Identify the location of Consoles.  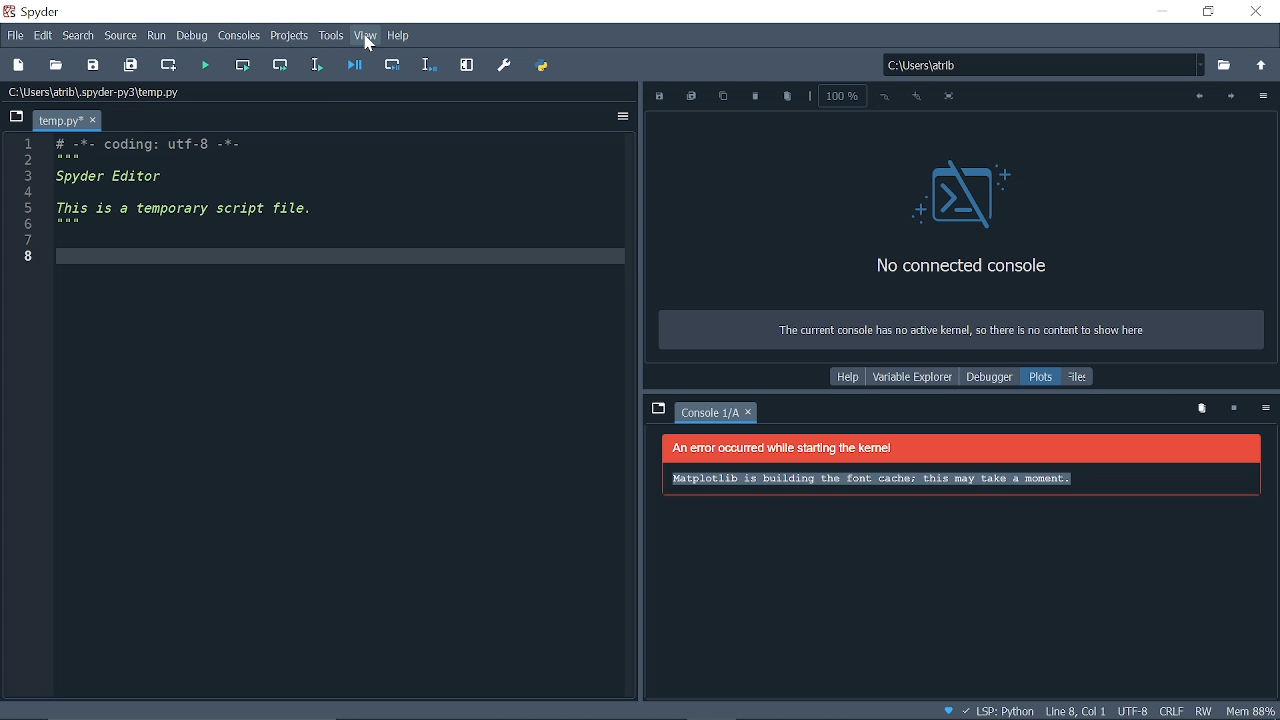
(241, 37).